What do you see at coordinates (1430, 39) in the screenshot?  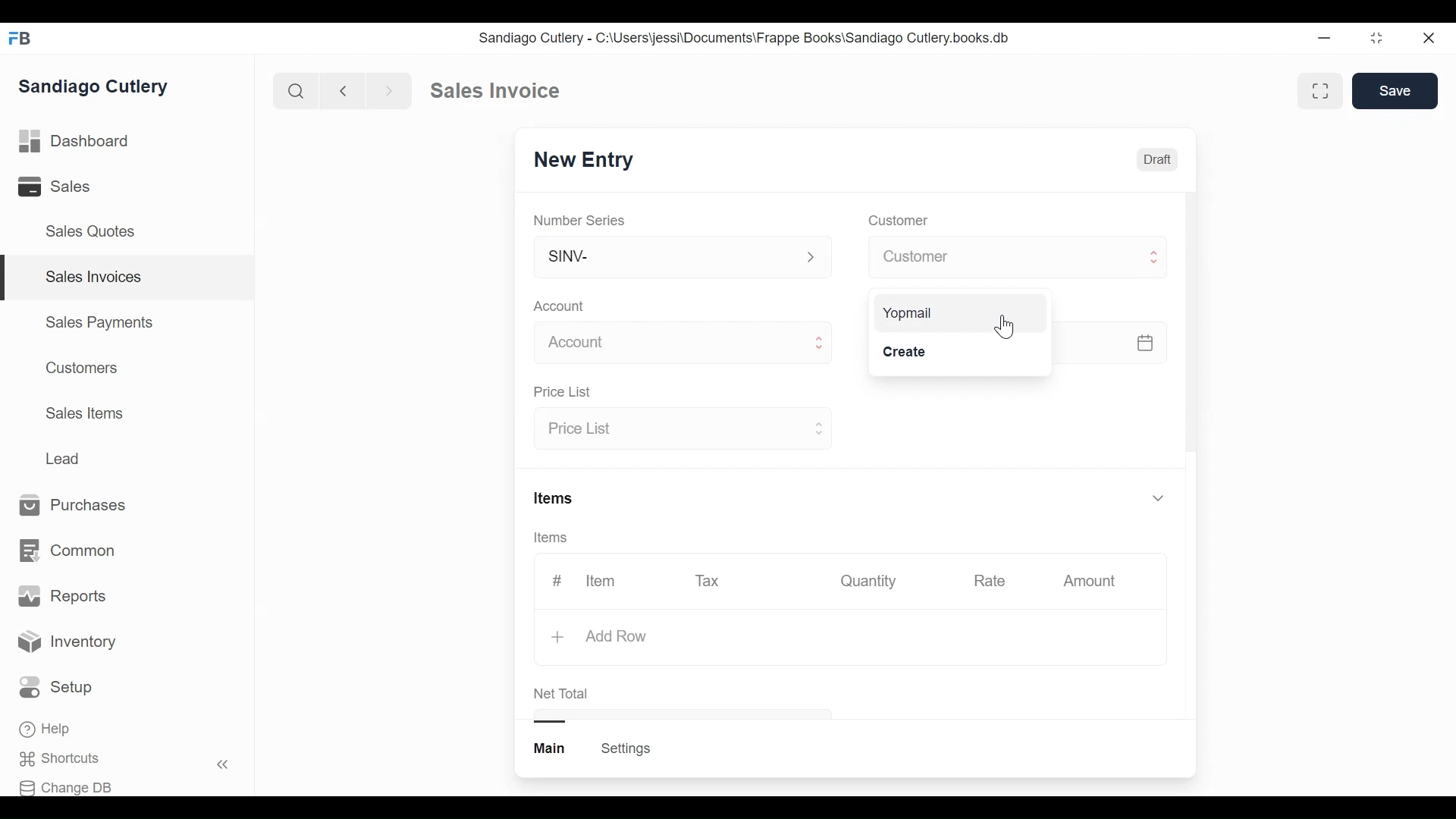 I see `close` at bounding box center [1430, 39].